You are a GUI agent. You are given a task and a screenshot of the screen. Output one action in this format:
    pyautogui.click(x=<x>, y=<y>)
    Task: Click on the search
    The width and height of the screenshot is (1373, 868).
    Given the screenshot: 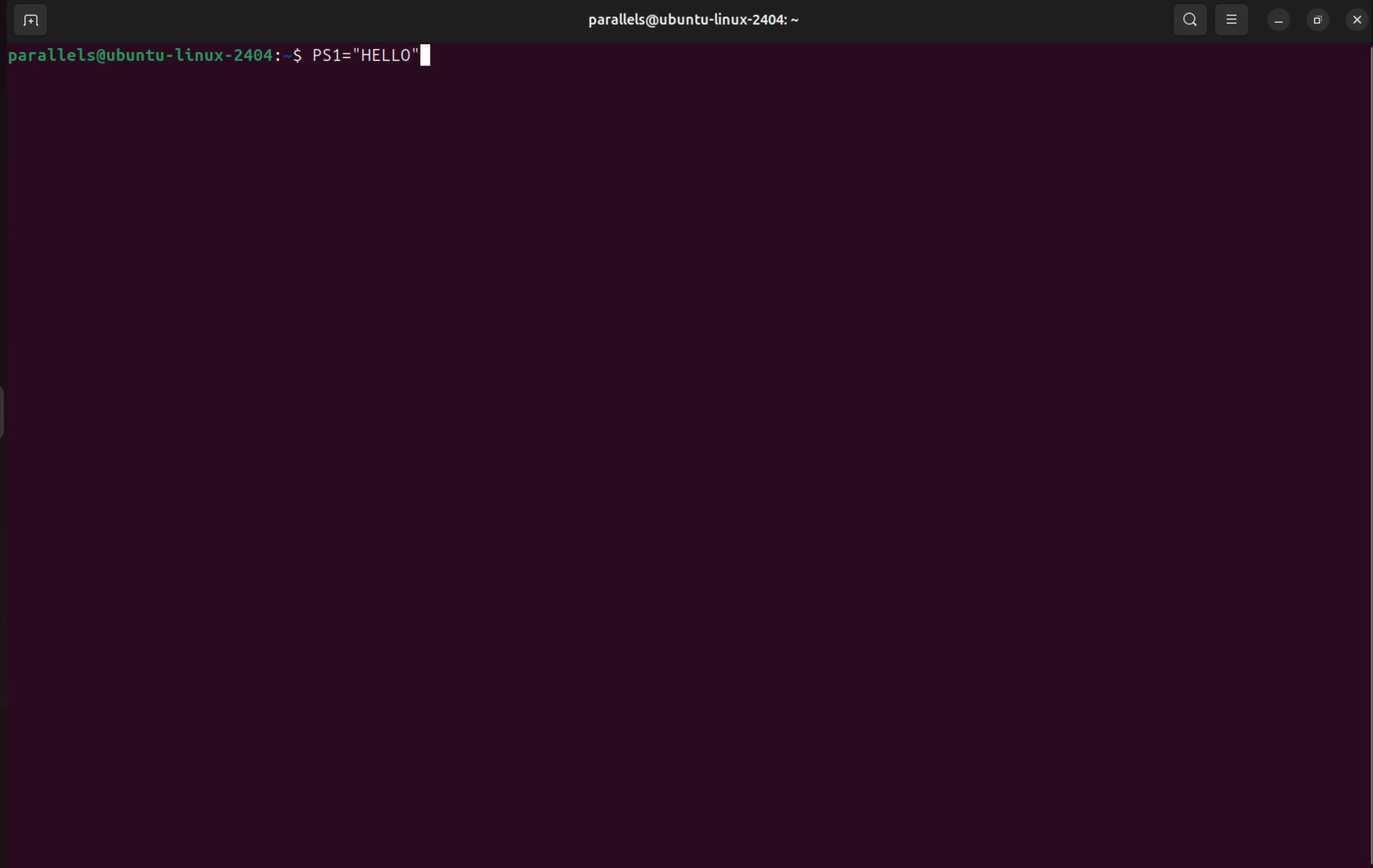 What is the action you would take?
    pyautogui.click(x=1187, y=21)
    